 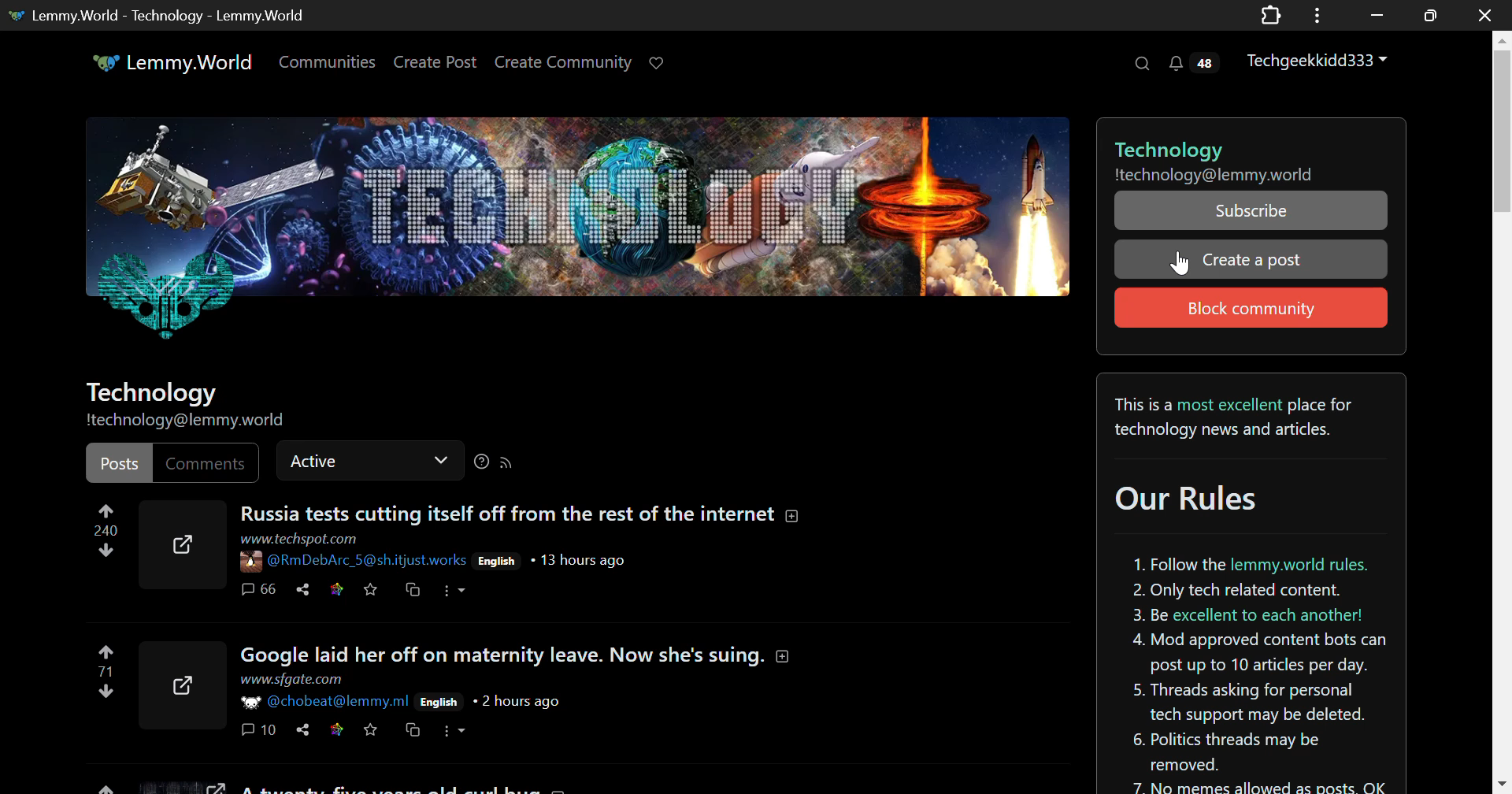 I want to click on Notifications , so click(x=1191, y=65).